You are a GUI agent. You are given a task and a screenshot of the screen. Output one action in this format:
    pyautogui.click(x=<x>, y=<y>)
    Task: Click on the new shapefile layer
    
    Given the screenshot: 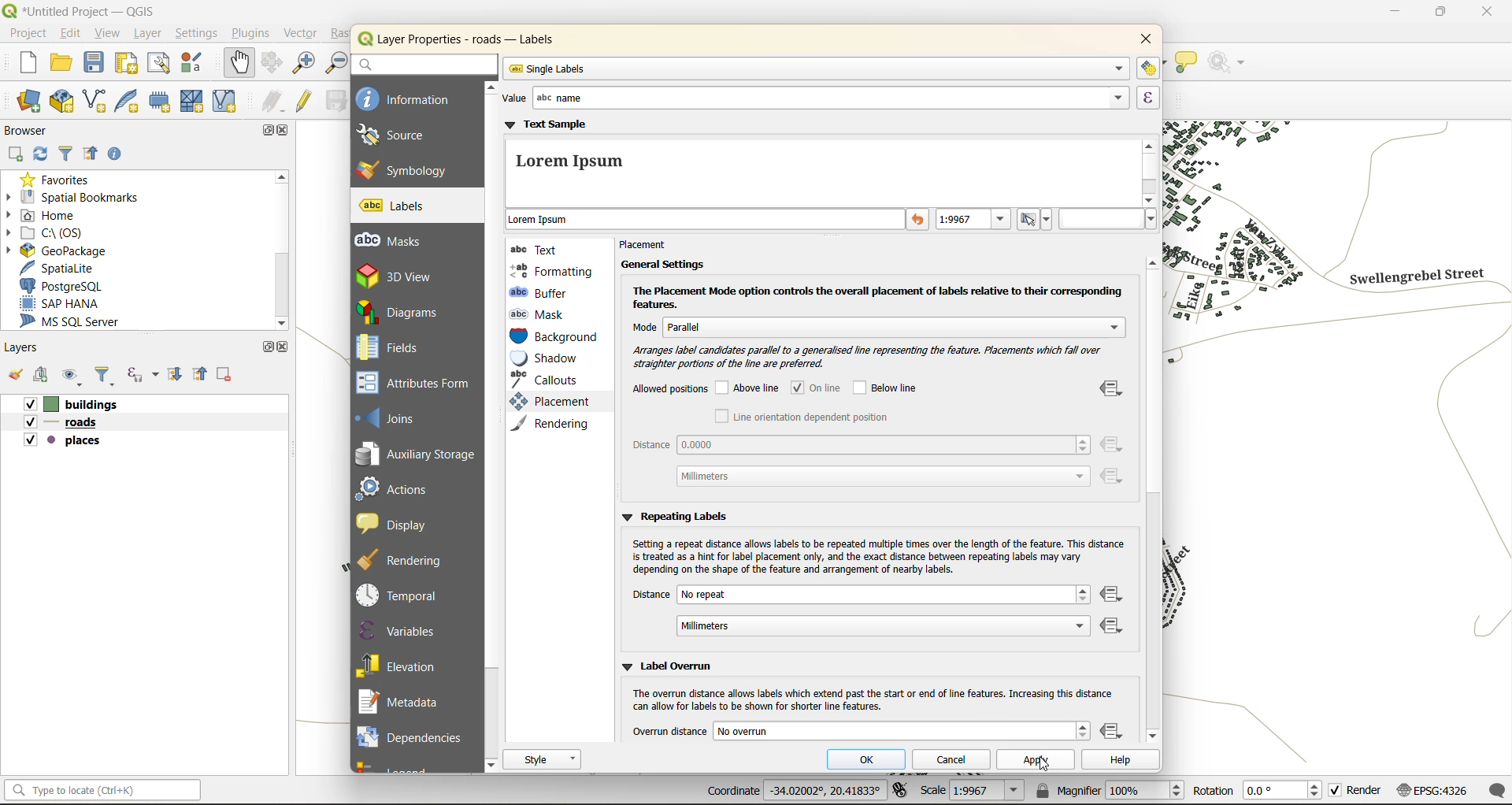 What is the action you would take?
    pyautogui.click(x=102, y=102)
    